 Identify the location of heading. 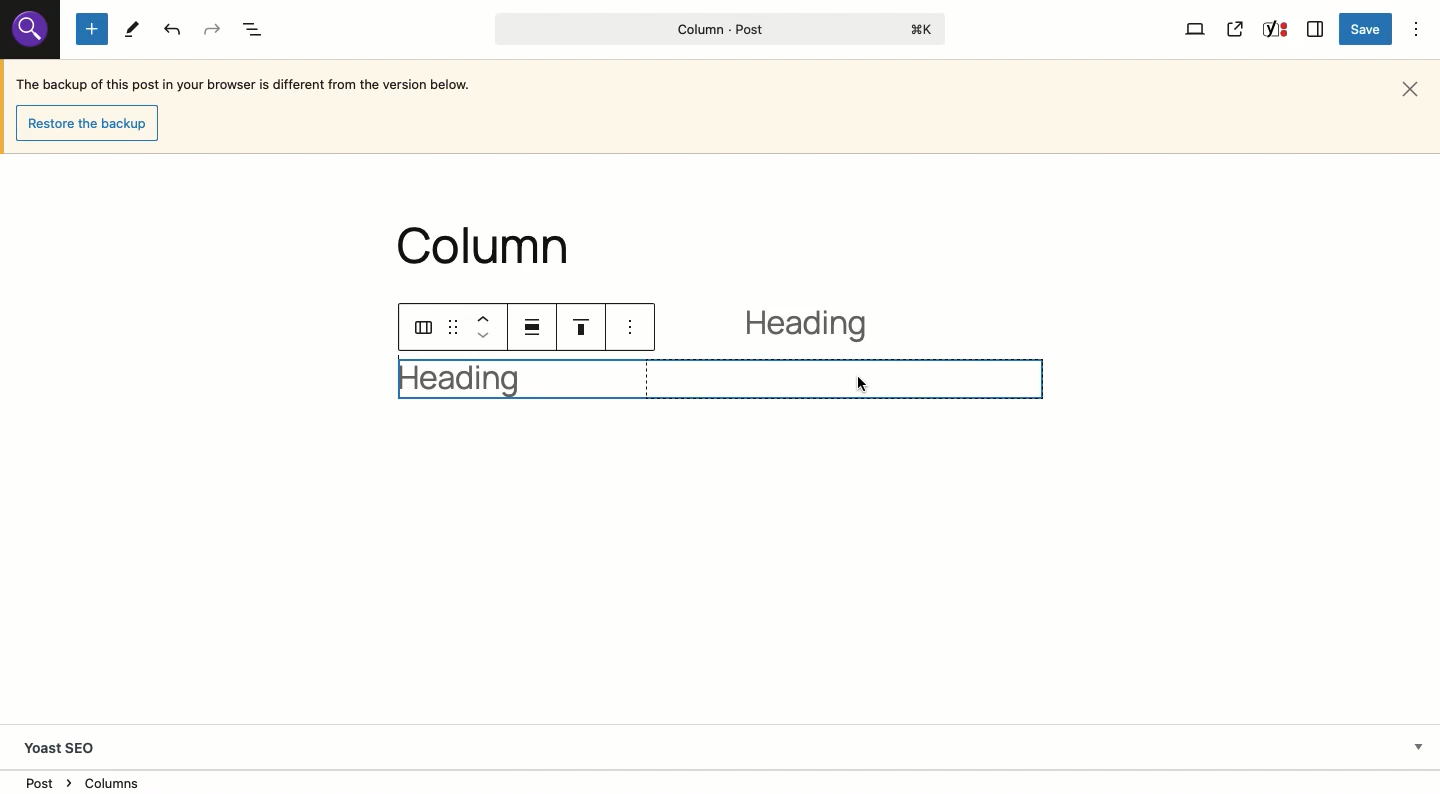
(815, 330).